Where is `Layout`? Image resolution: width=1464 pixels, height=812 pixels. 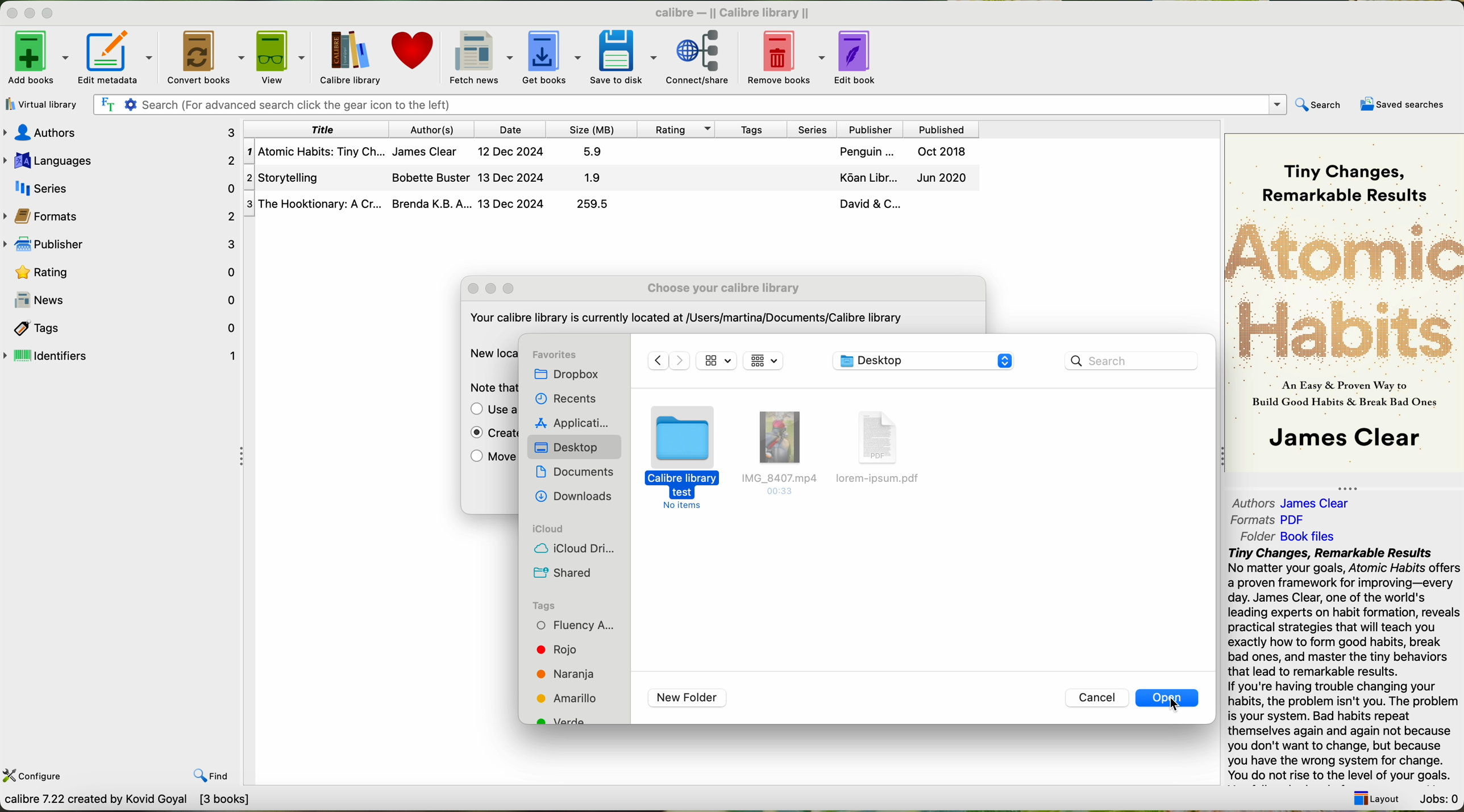 Layout is located at coordinates (1373, 795).